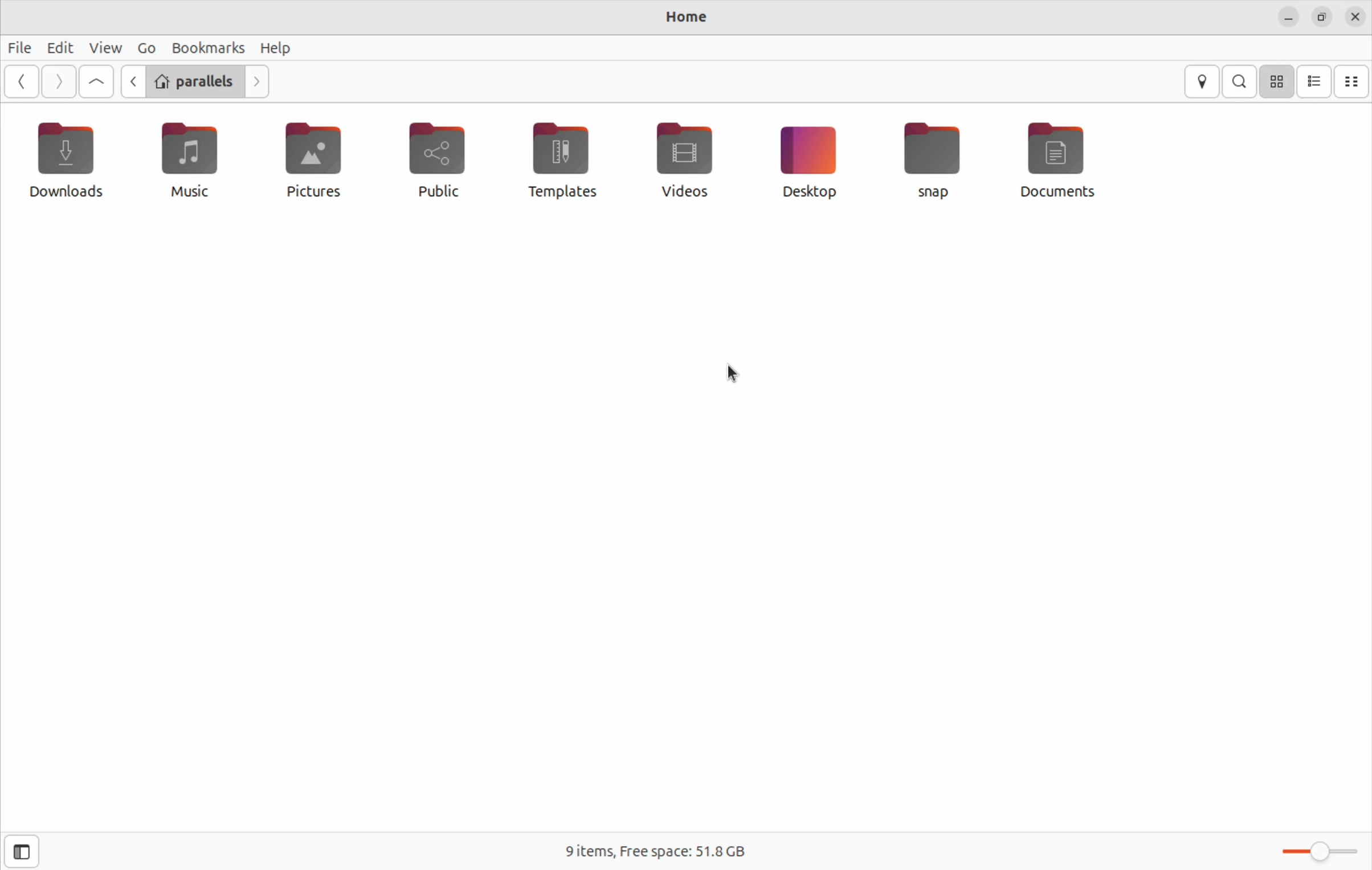 The height and width of the screenshot is (870, 1372). I want to click on view, so click(103, 46).